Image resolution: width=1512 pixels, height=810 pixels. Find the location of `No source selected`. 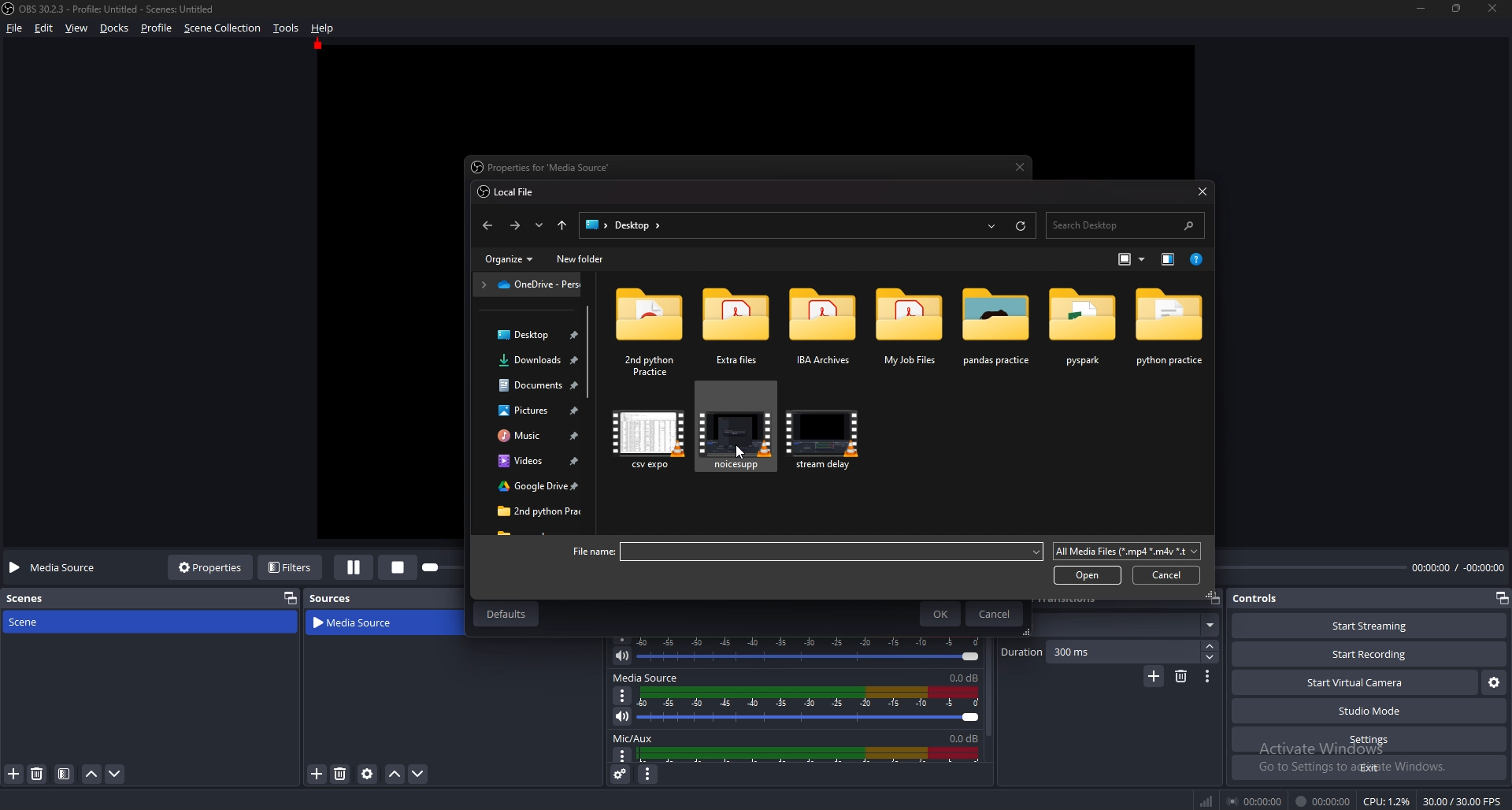

No source selected is located at coordinates (57, 567).